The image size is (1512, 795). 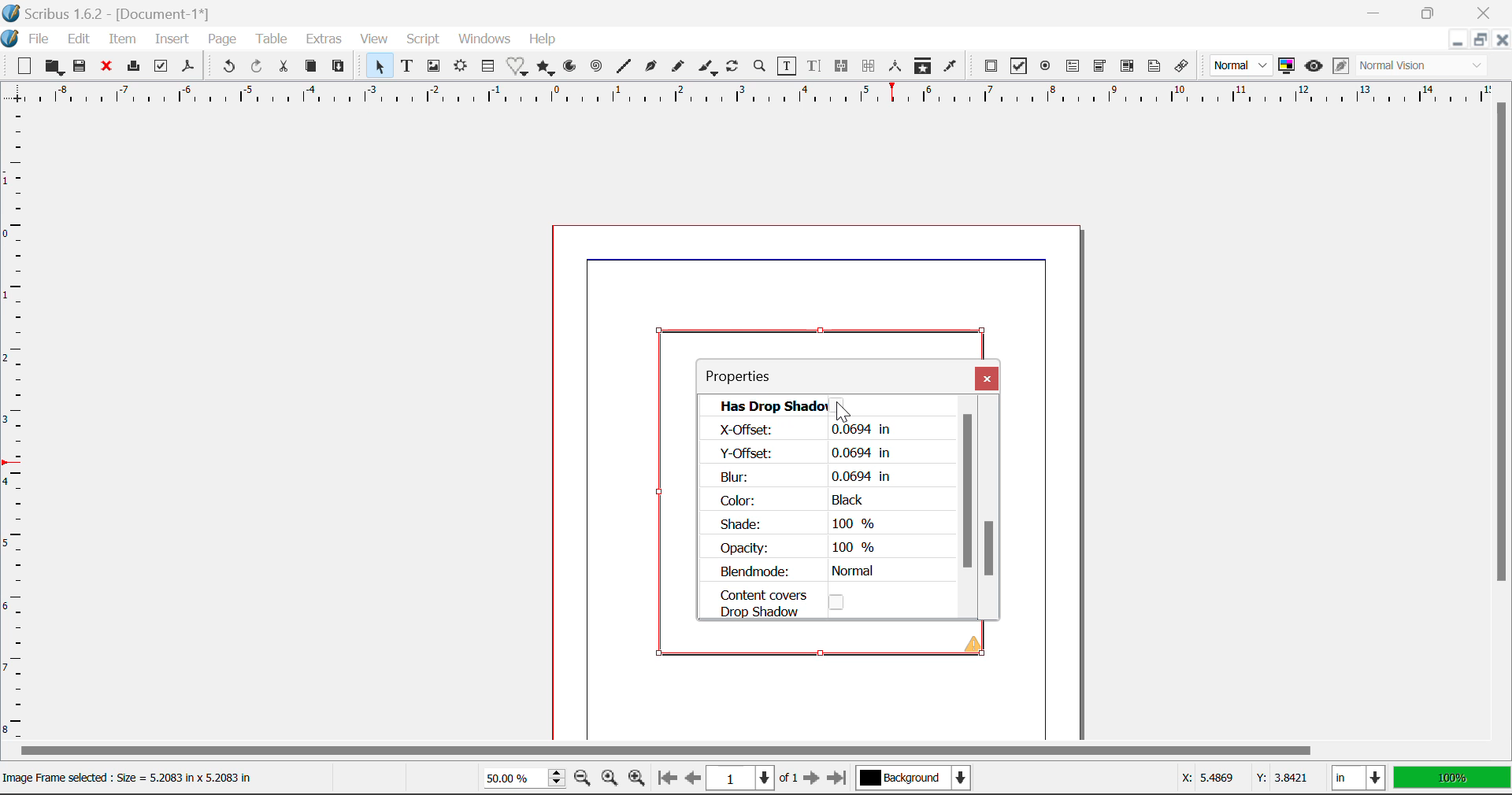 What do you see at coordinates (842, 68) in the screenshot?
I see `Link Text Frames` at bounding box center [842, 68].